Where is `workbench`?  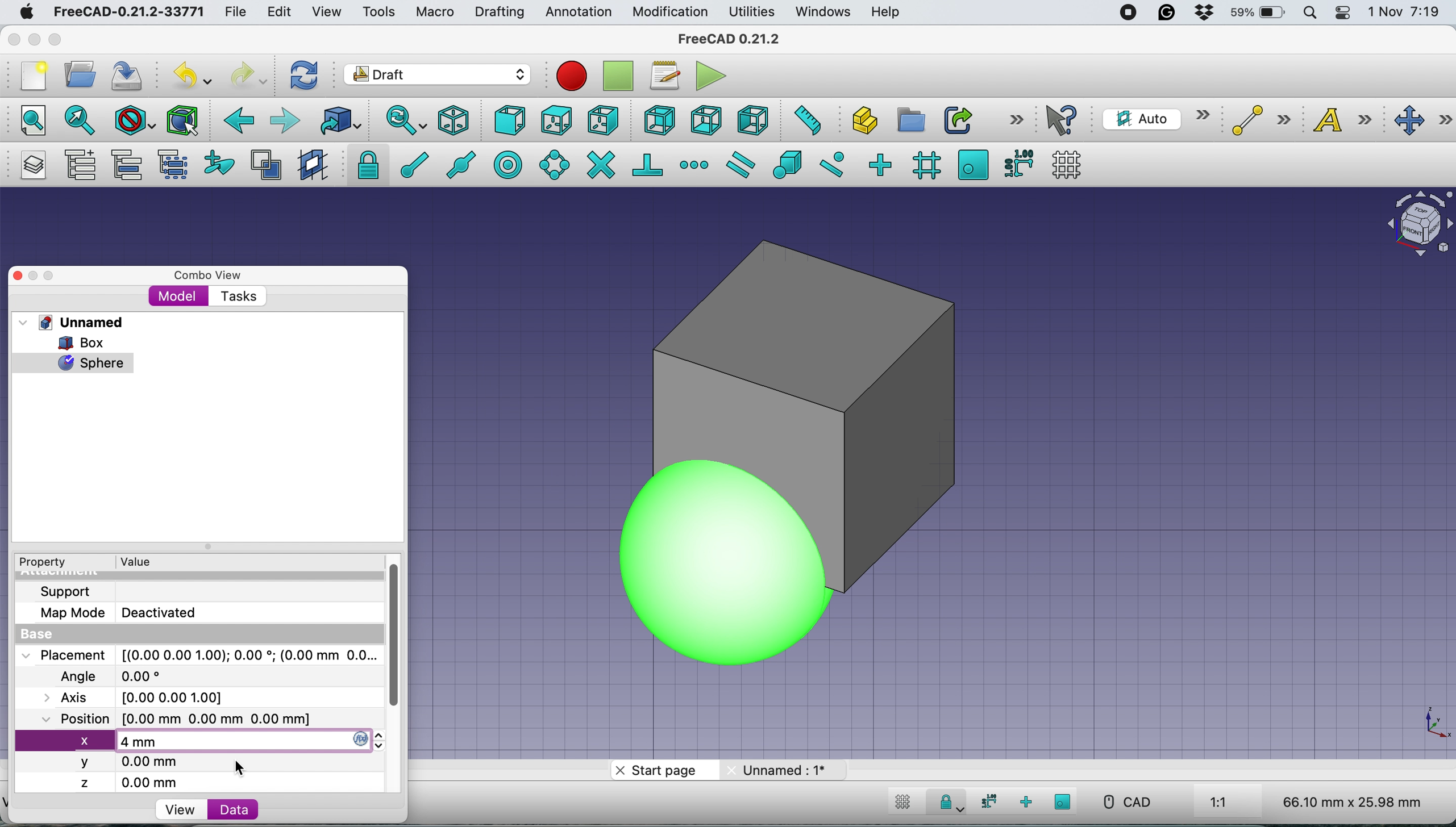
workbench is located at coordinates (438, 76).